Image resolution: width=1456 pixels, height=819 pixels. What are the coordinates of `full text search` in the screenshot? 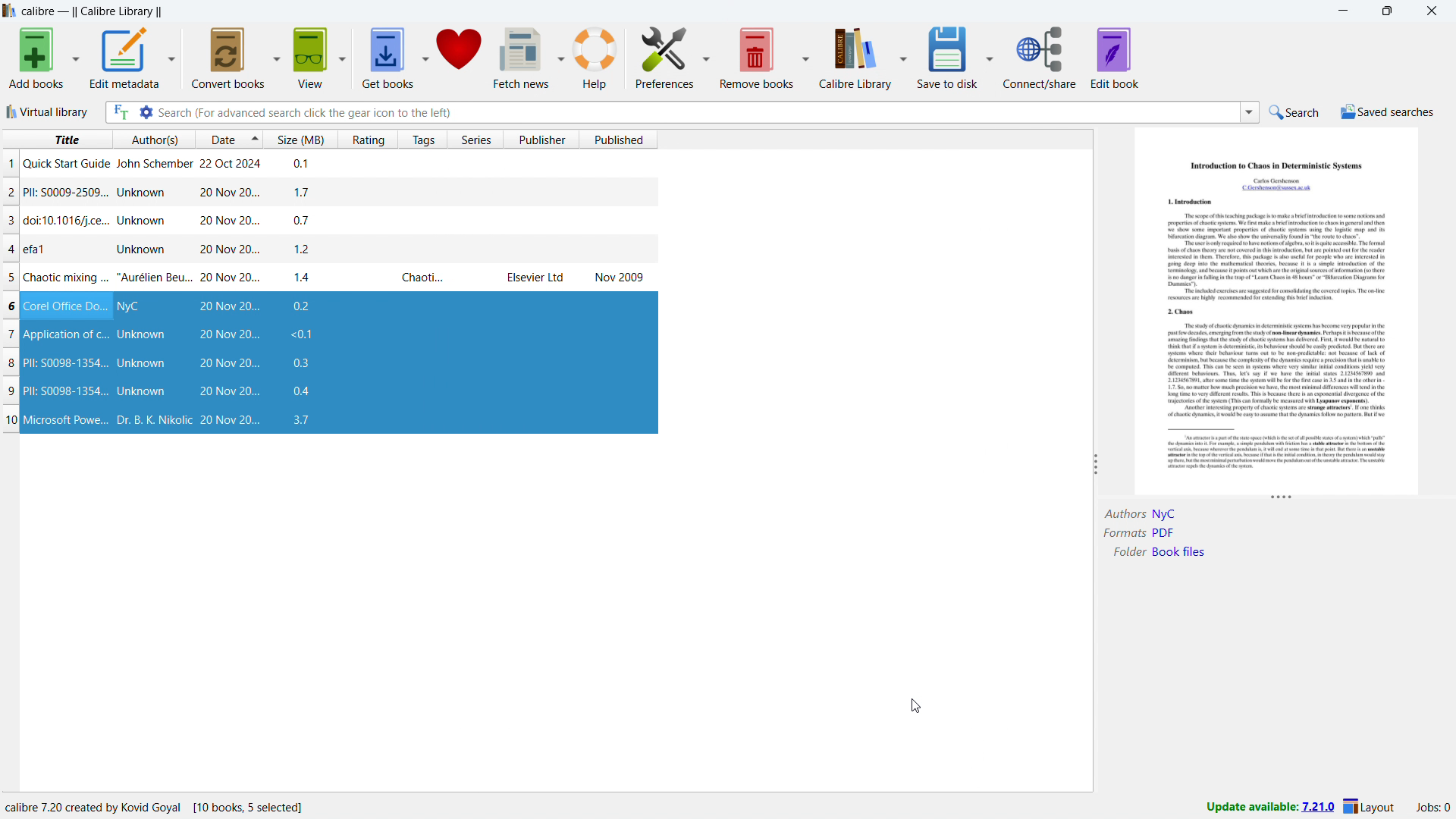 It's located at (120, 111).